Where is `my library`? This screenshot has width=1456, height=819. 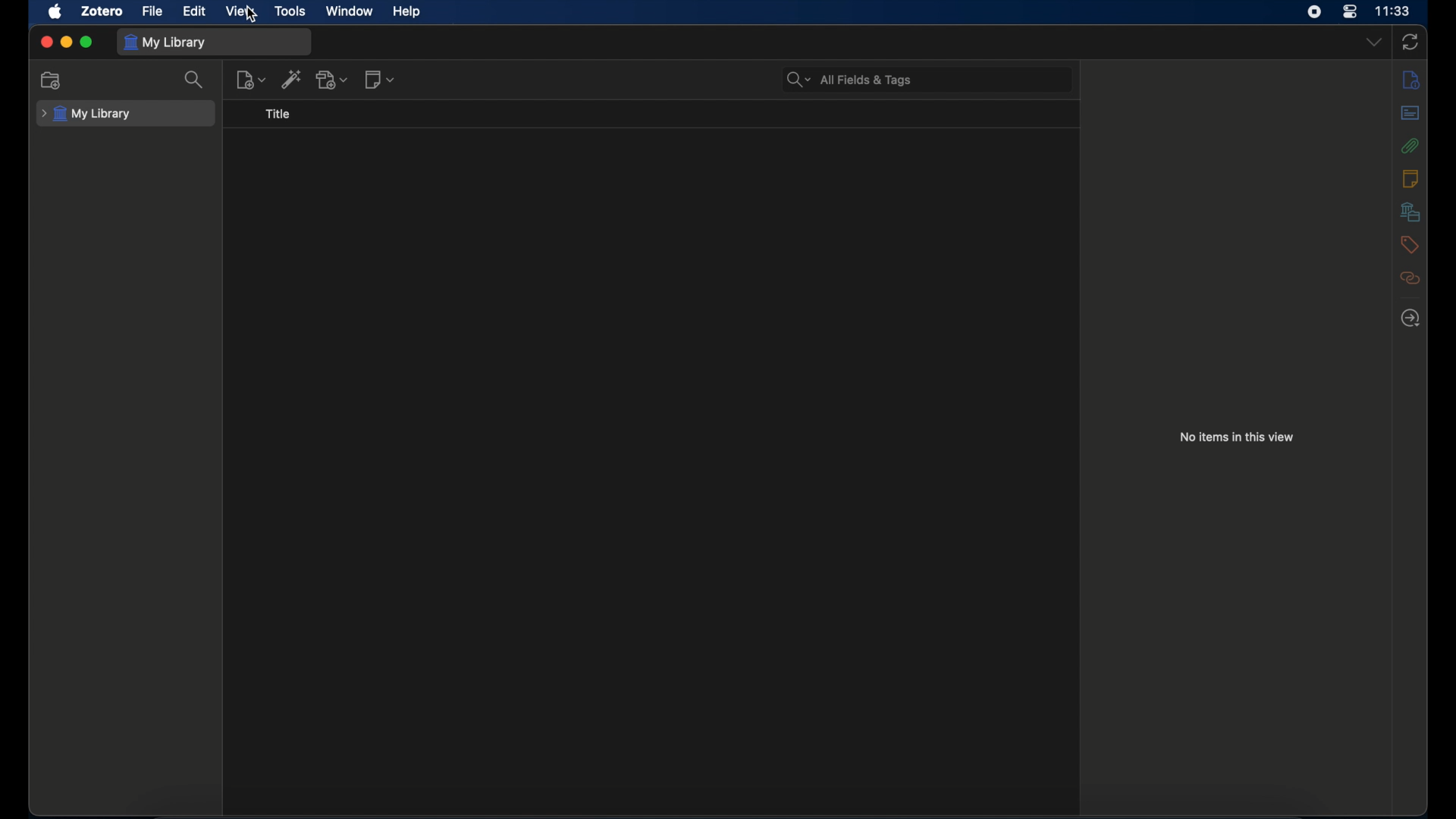
my library is located at coordinates (86, 114).